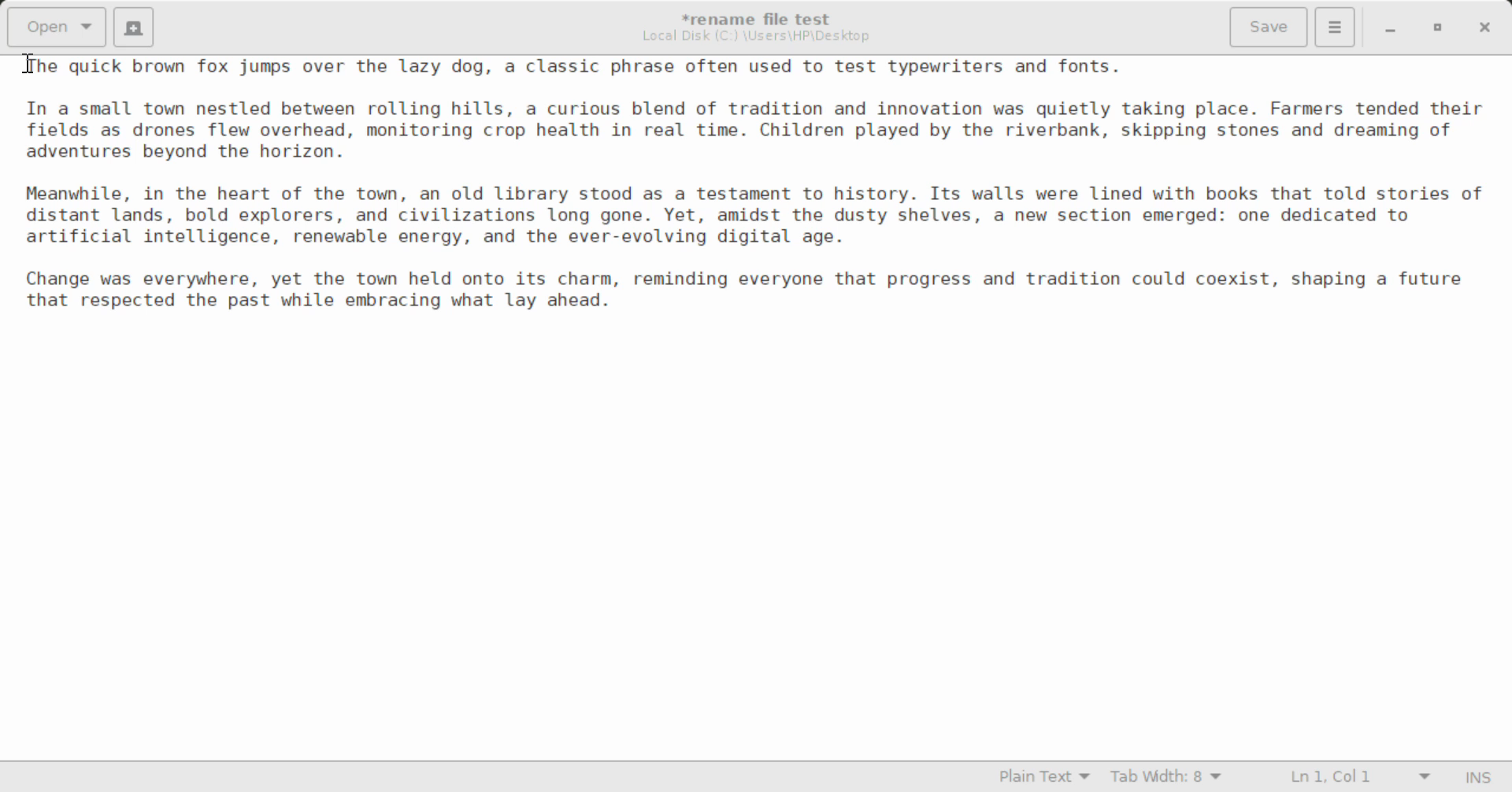  I want to click on Input Mode, so click(1483, 775).